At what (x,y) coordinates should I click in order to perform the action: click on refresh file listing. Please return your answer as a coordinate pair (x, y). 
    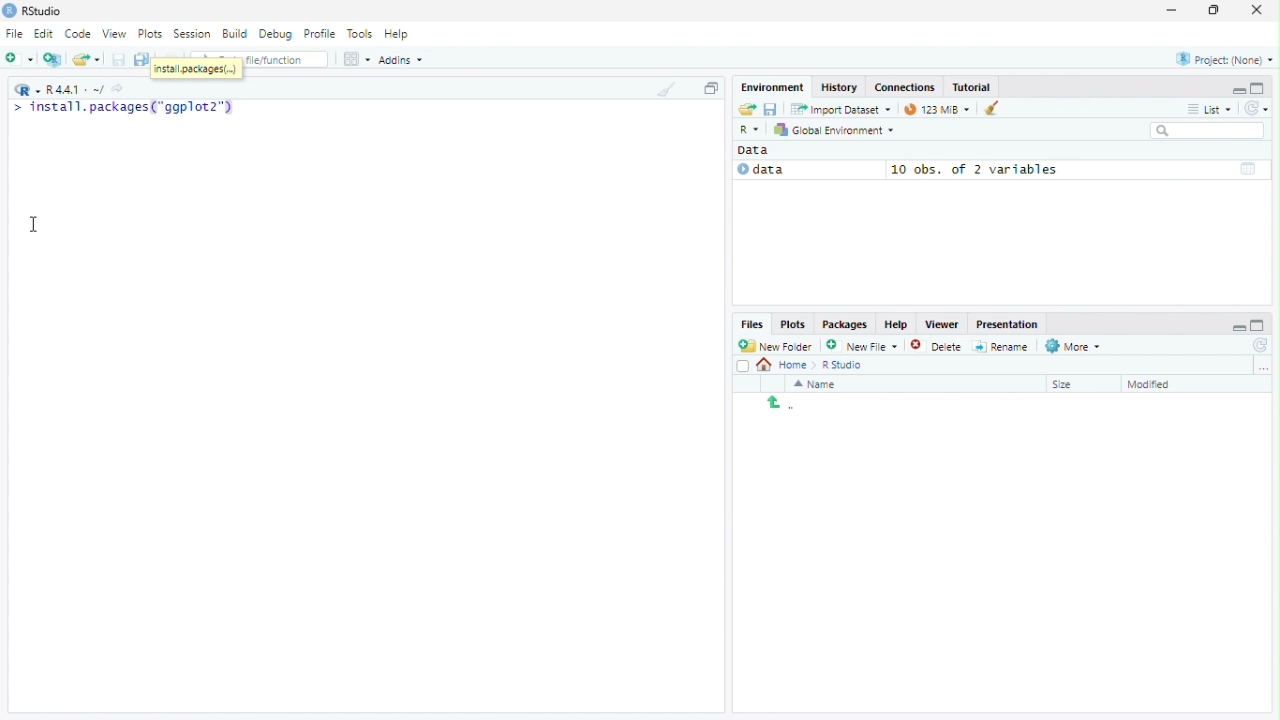
    Looking at the image, I should click on (1261, 346).